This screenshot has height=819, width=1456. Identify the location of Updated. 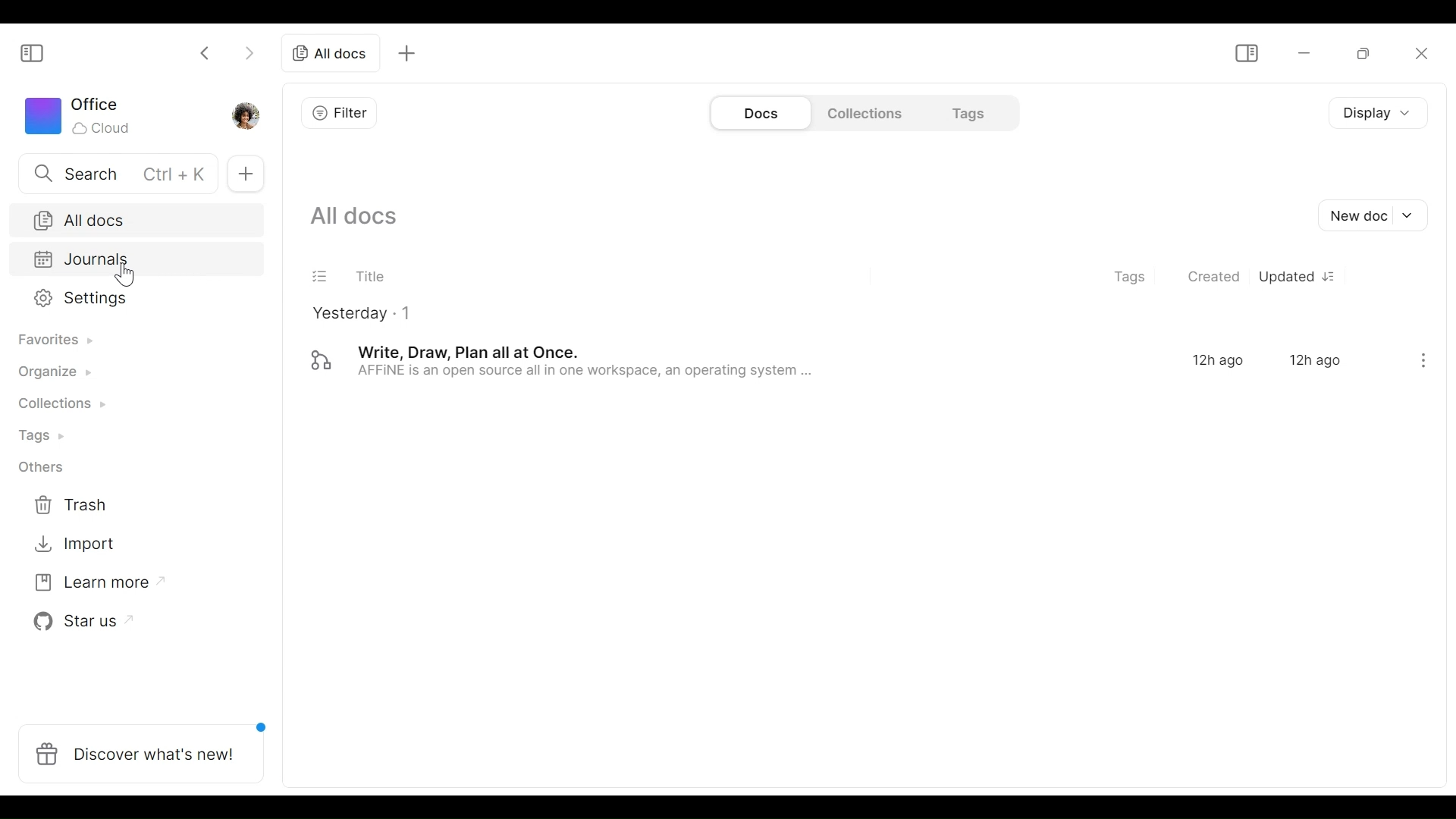
(1302, 277).